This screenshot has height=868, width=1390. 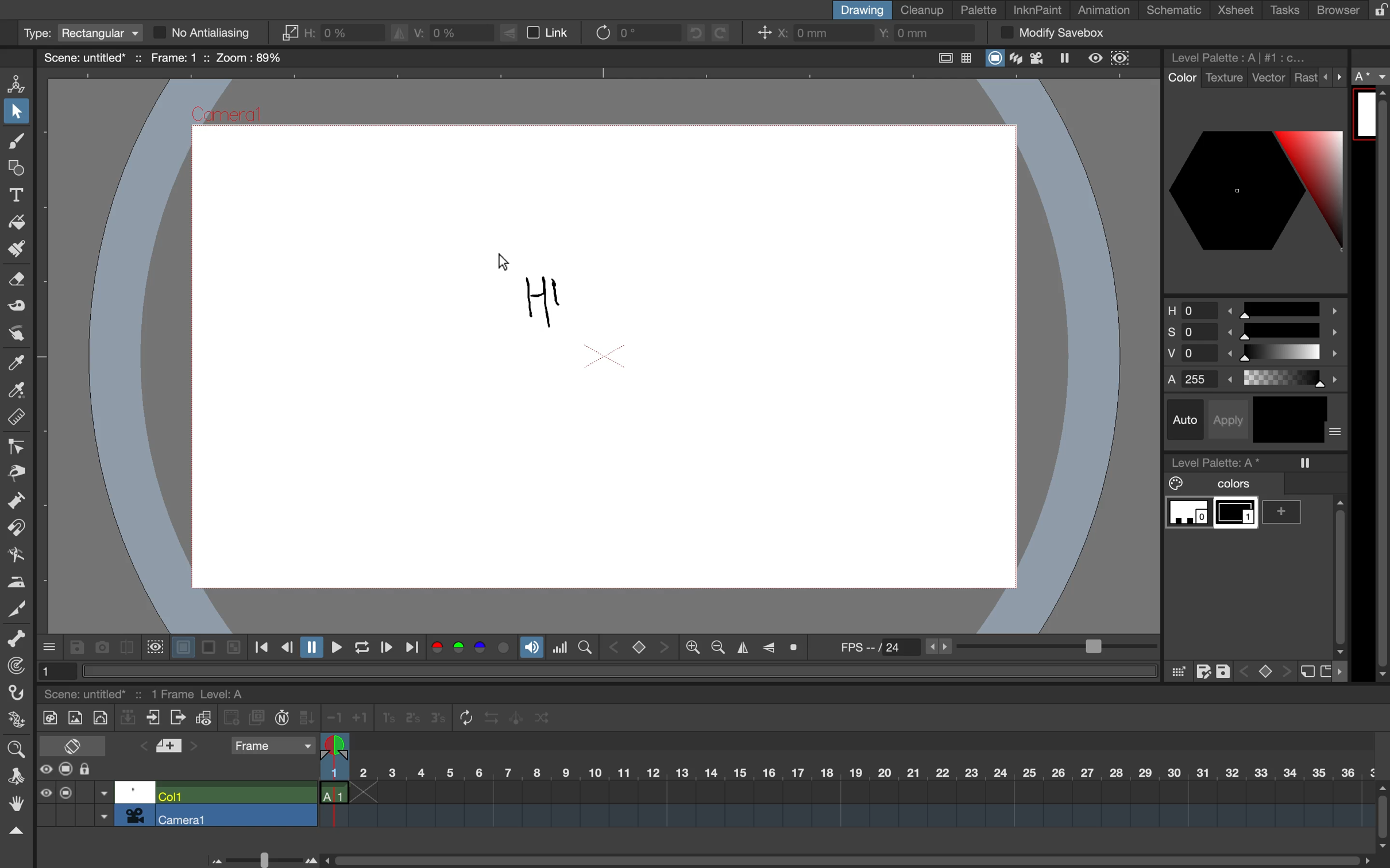 What do you see at coordinates (50, 646) in the screenshot?
I see `more options` at bounding box center [50, 646].